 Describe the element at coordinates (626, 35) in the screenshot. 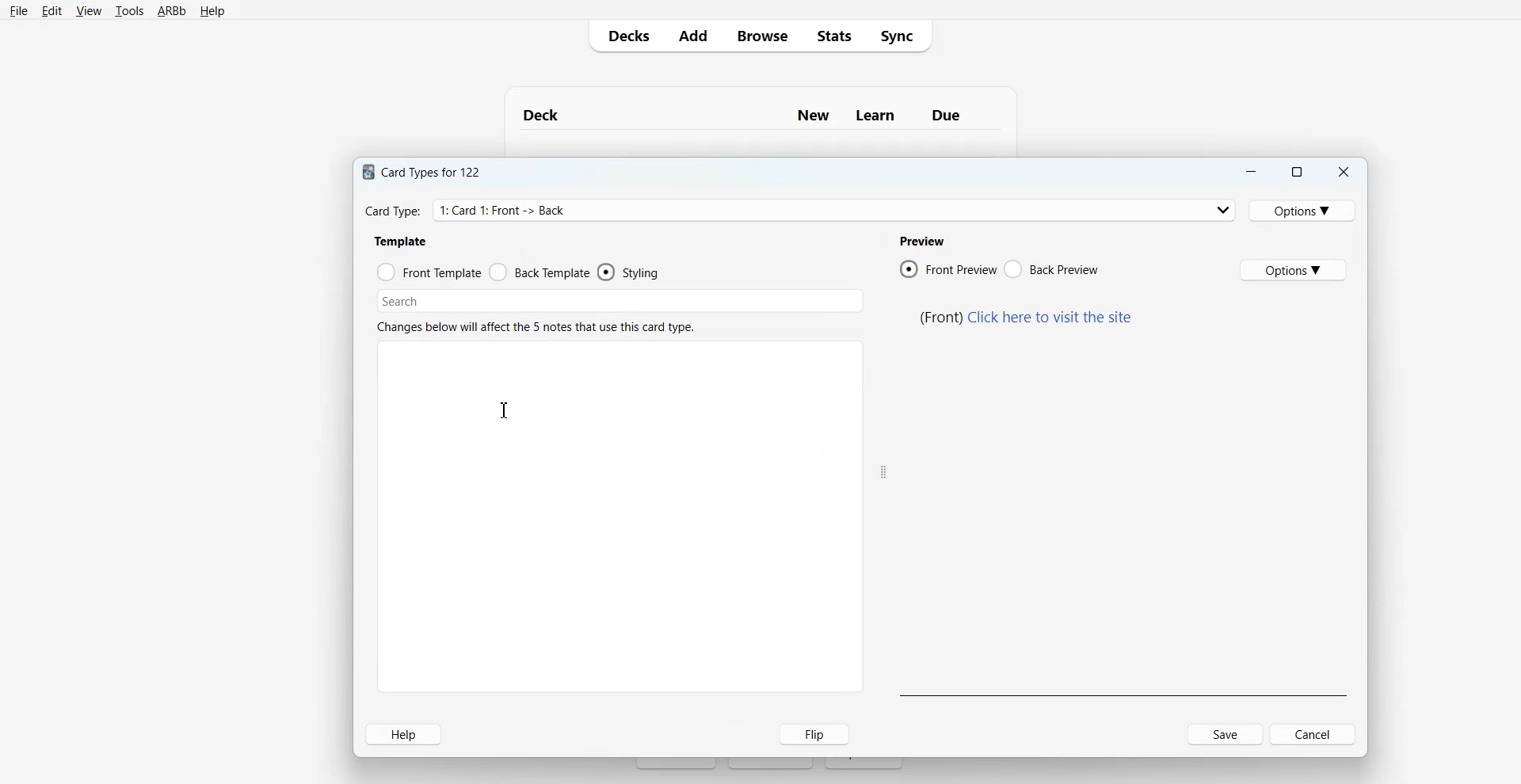

I see `Decks ` at that location.